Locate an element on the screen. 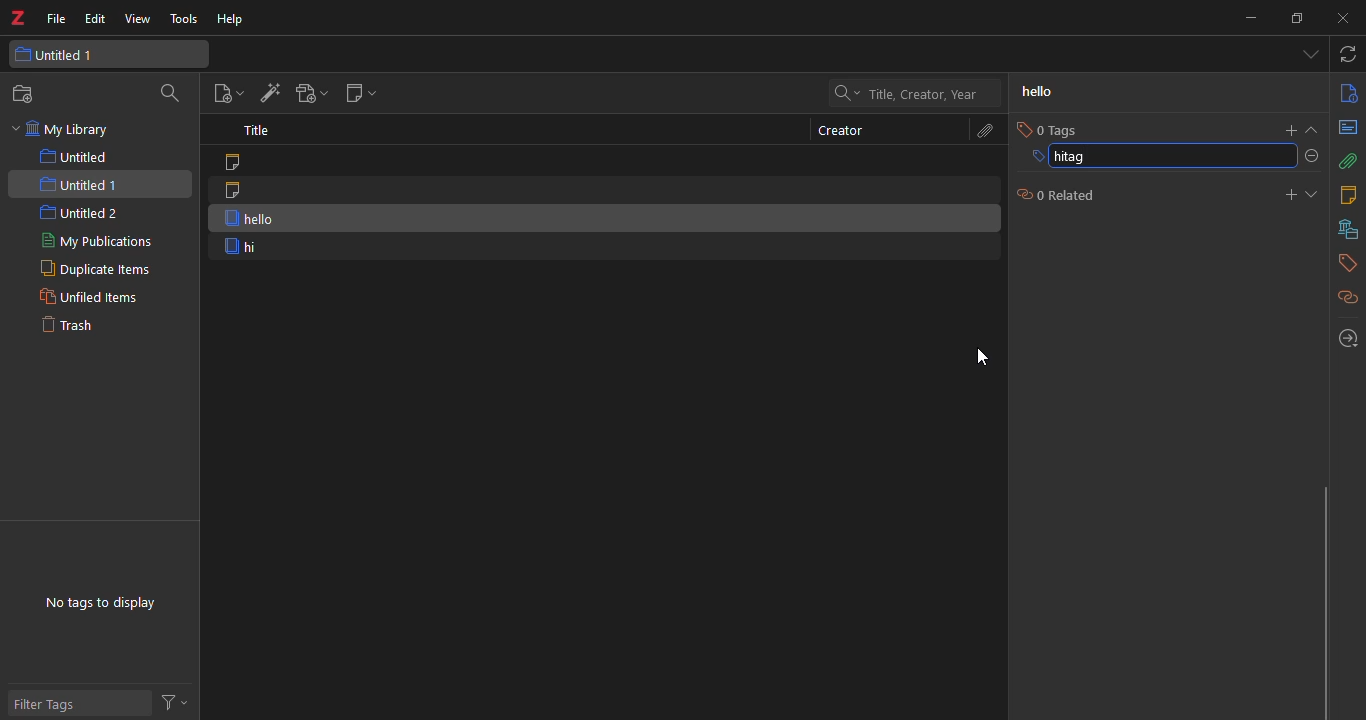 This screenshot has width=1366, height=720. expand is located at coordinates (1315, 194).